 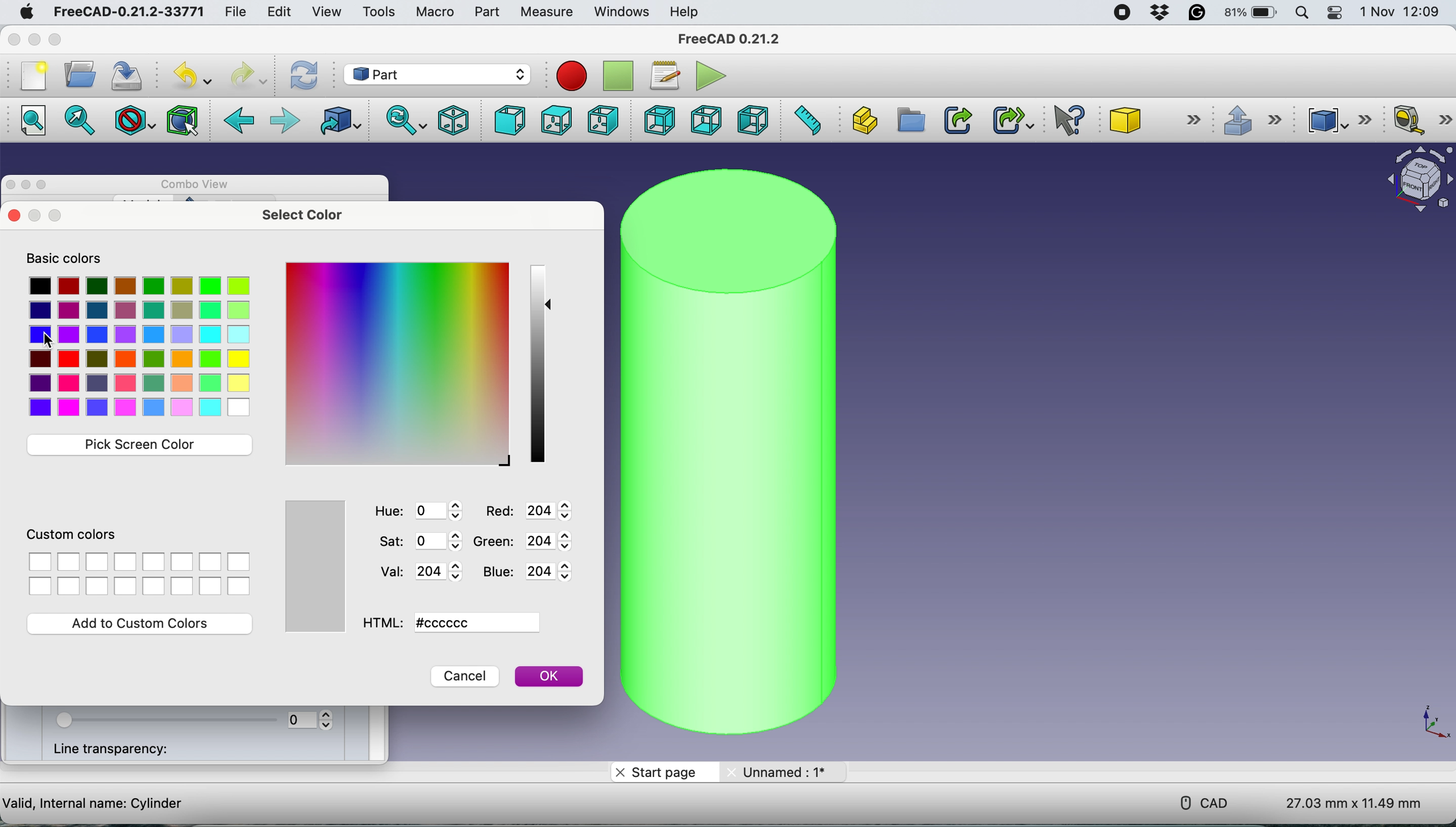 I want to click on view, so click(x=325, y=12).